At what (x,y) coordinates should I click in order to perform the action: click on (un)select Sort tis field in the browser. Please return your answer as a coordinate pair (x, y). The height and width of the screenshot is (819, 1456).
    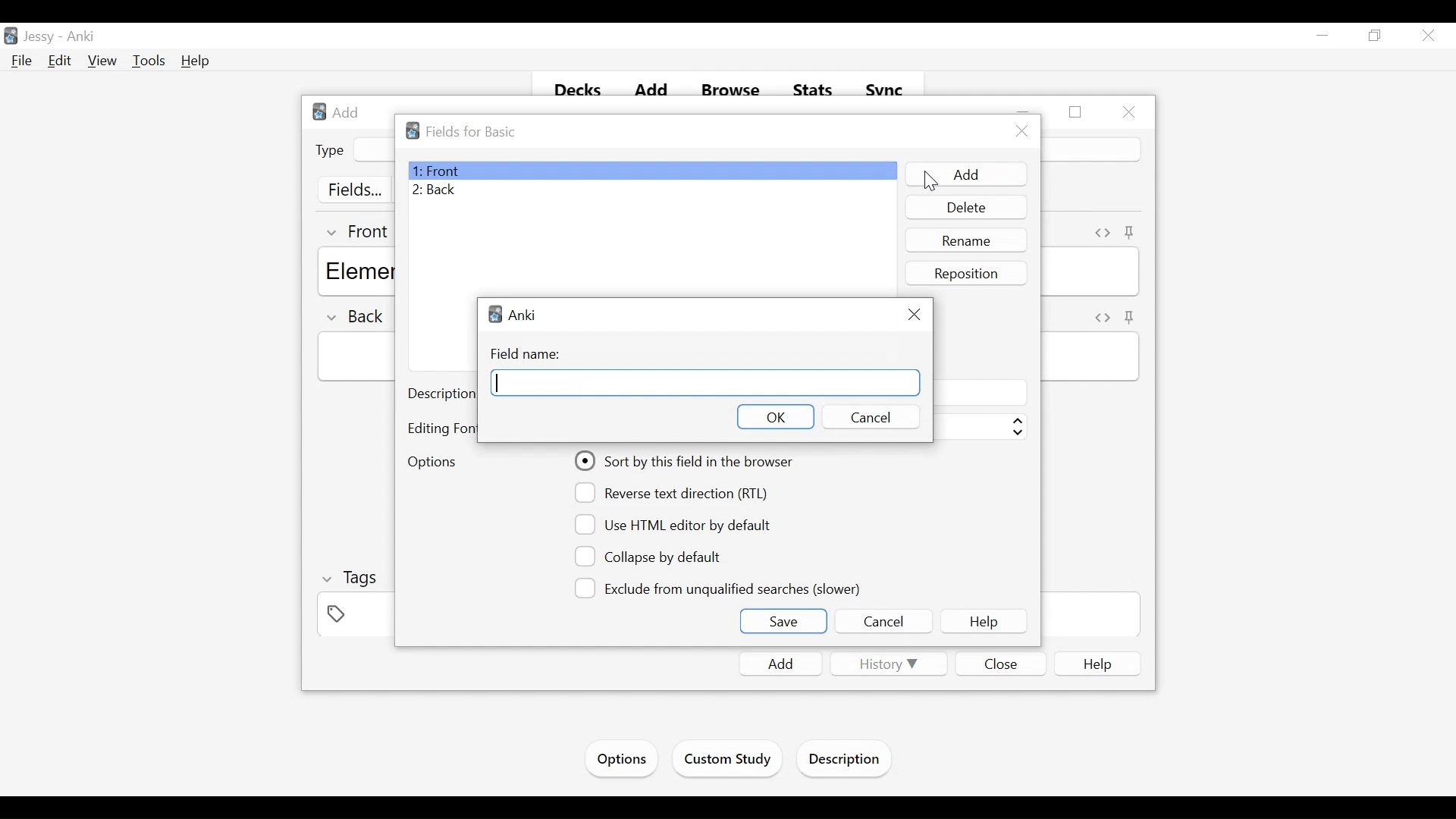
    Looking at the image, I should click on (686, 461).